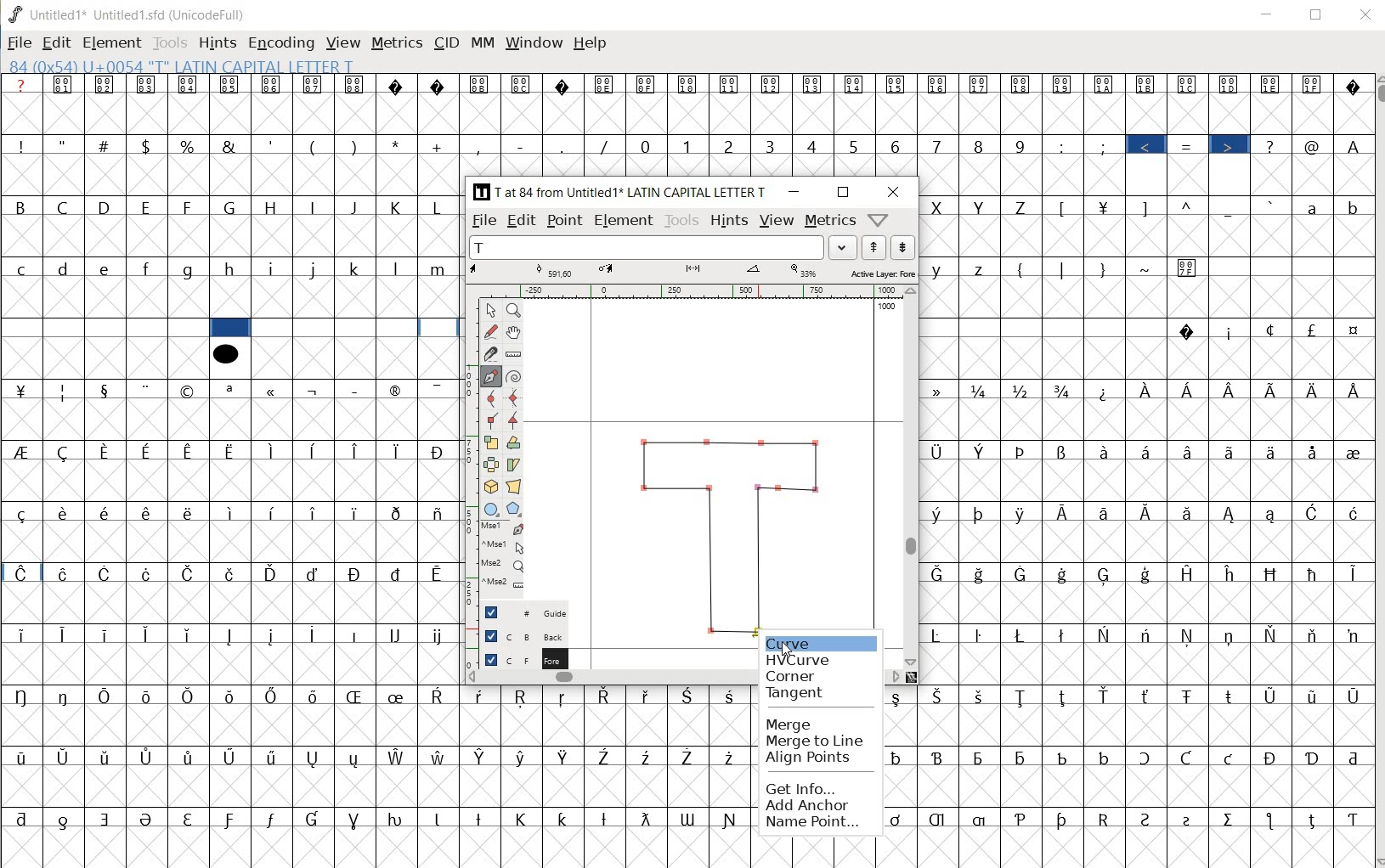 The height and width of the screenshot is (868, 1385). What do you see at coordinates (1064, 634) in the screenshot?
I see `Symbol` at bounding box center [1064, 634].